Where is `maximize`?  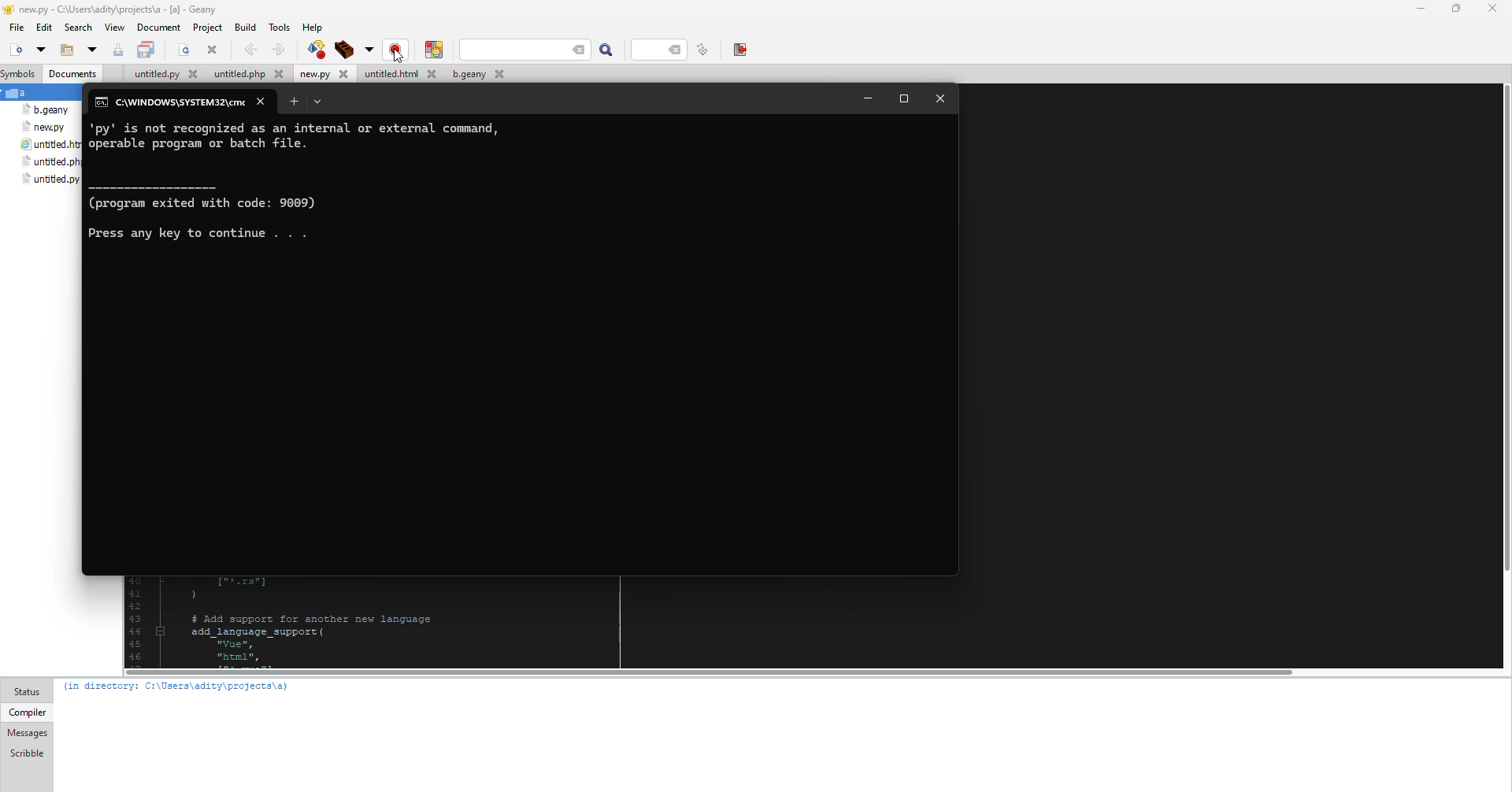 maximize is located at coordinates (1453, 7).